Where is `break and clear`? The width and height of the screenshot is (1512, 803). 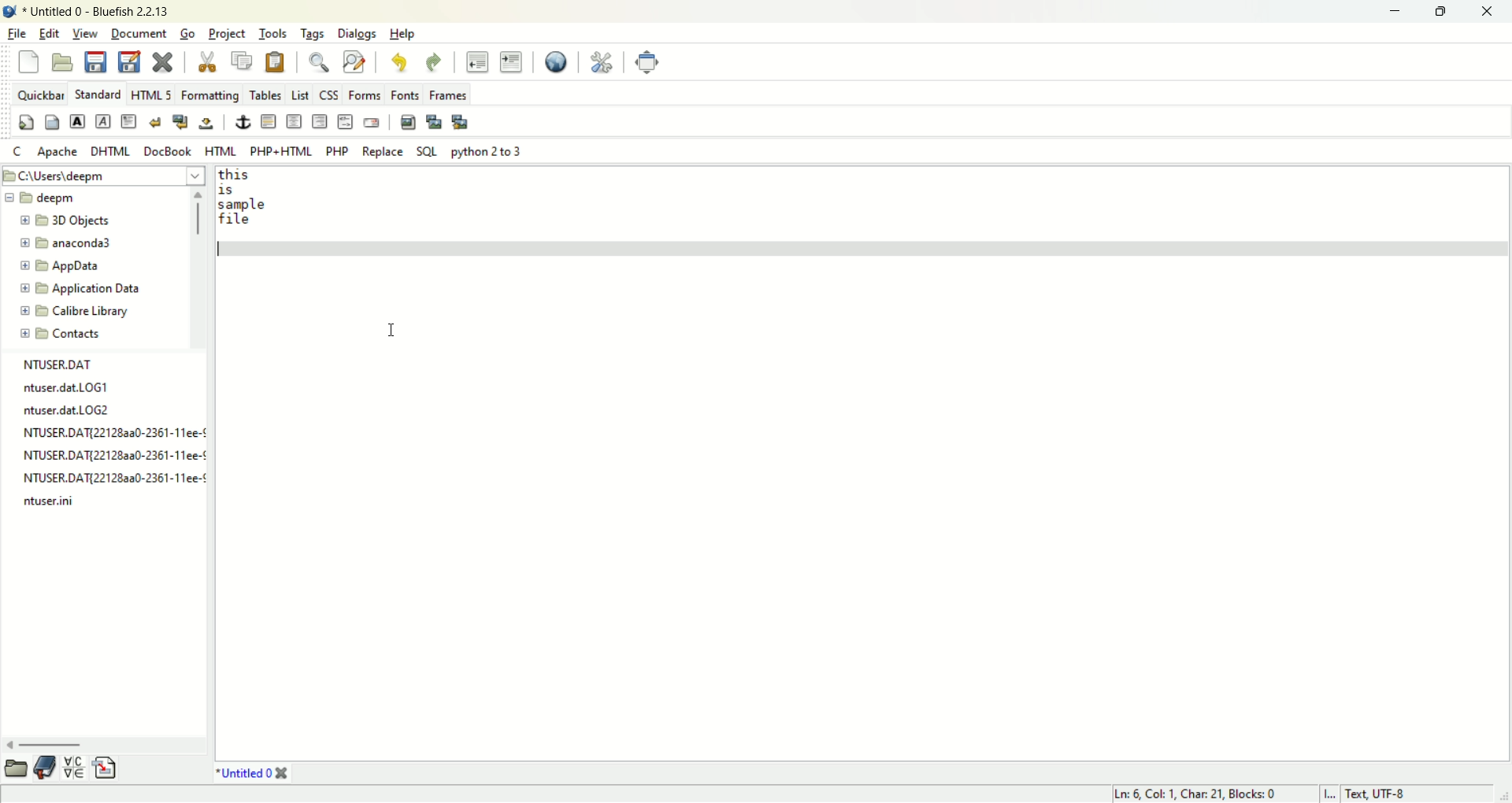
break and clear is located at coordinates (180, 120).